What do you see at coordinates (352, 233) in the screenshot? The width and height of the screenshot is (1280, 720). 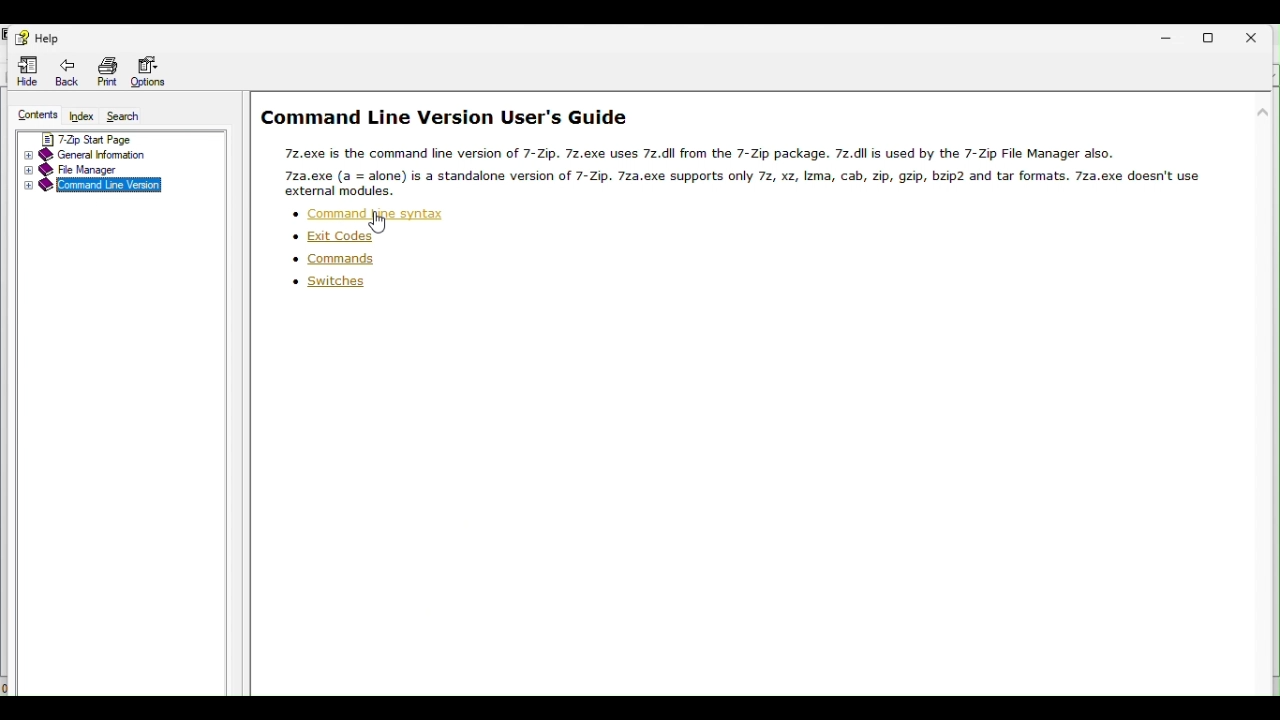 I see `Exit codes` at bounding box center [352, 233].